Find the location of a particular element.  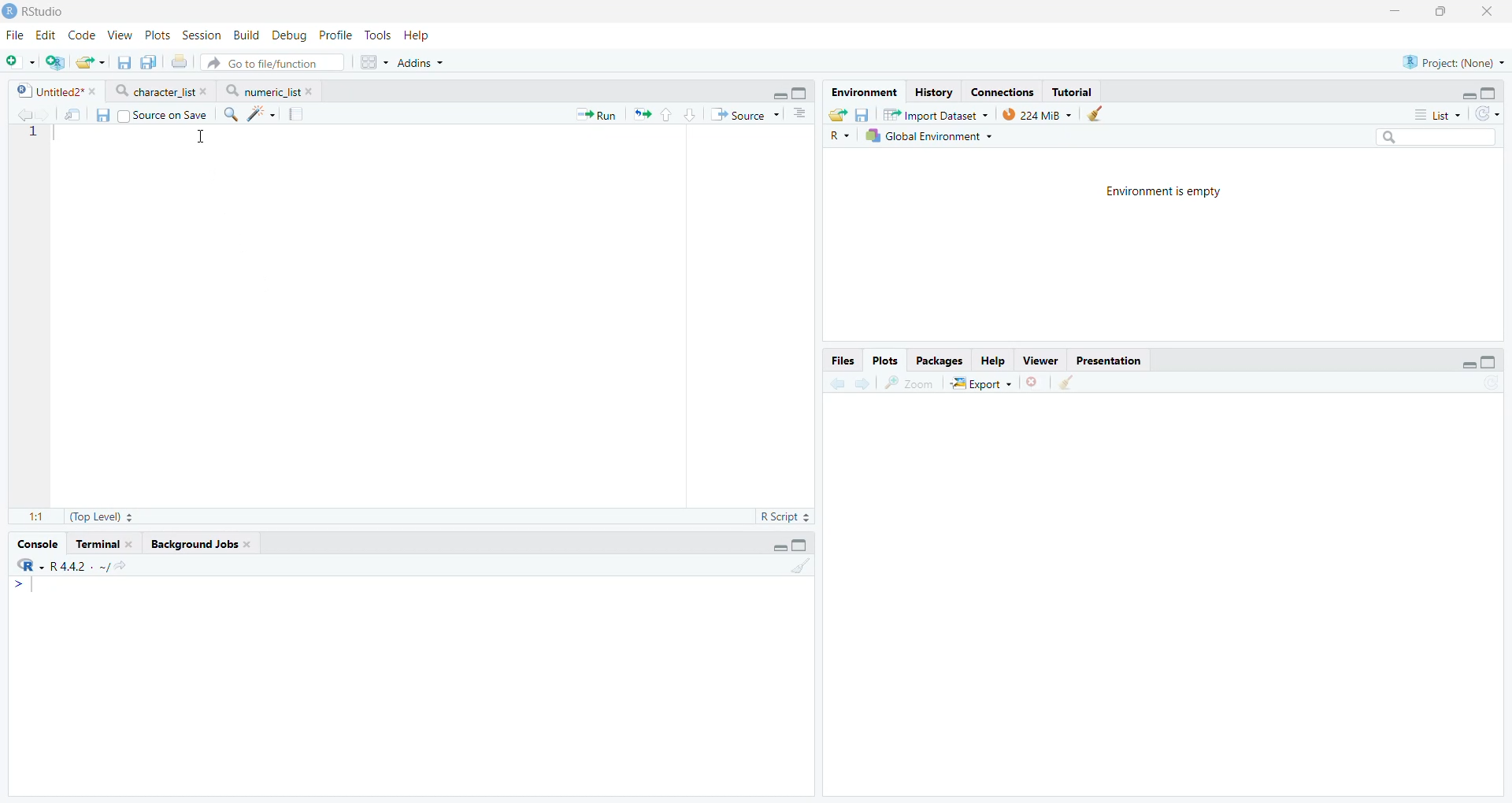

Clear is located at coordinates (1100, 114).